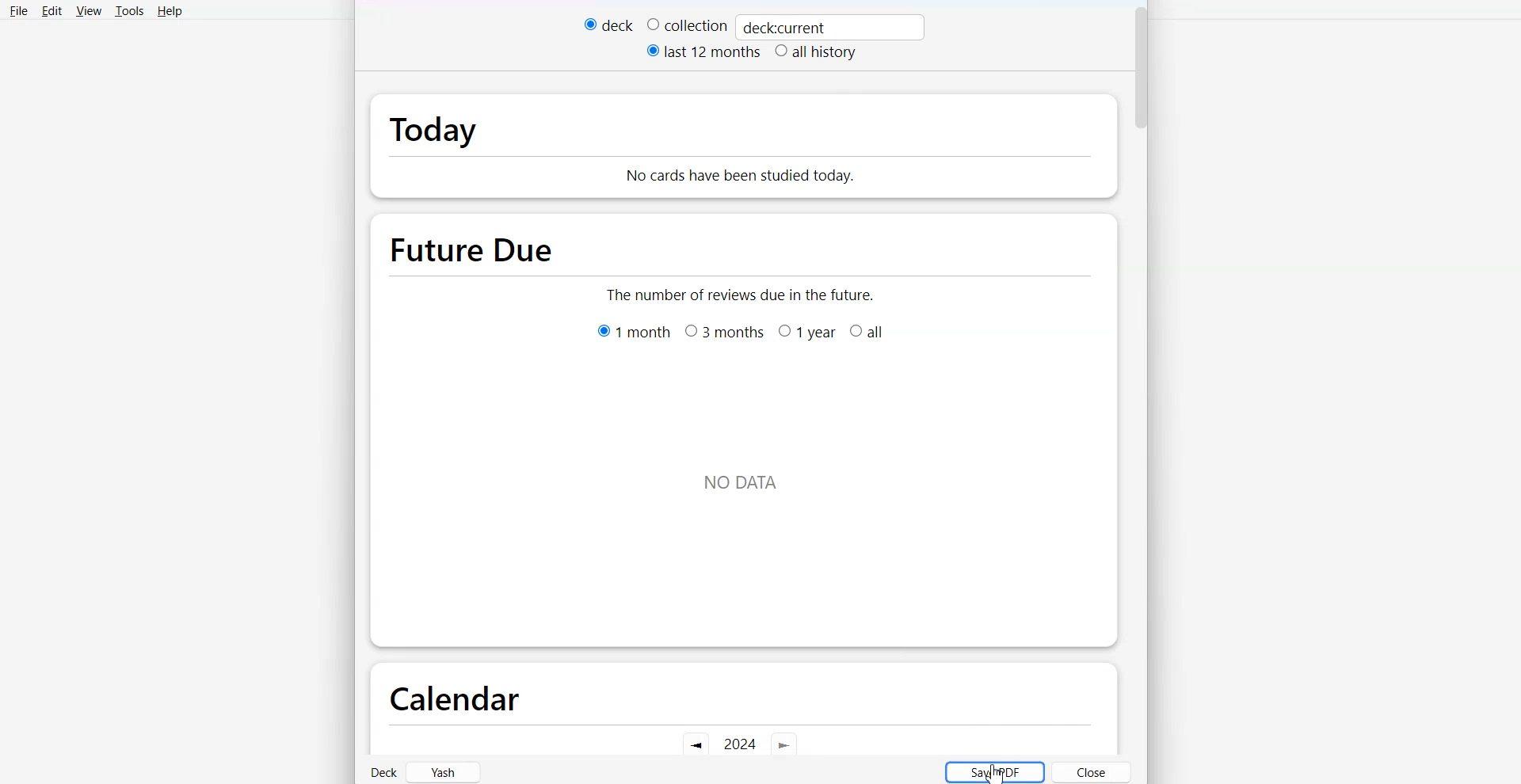 The width and height of the screenshot is (1521, 784). What do you see at coordinates (1092, 772) in the screenshot?
I see `Close` at bounding box center [1092, 772].